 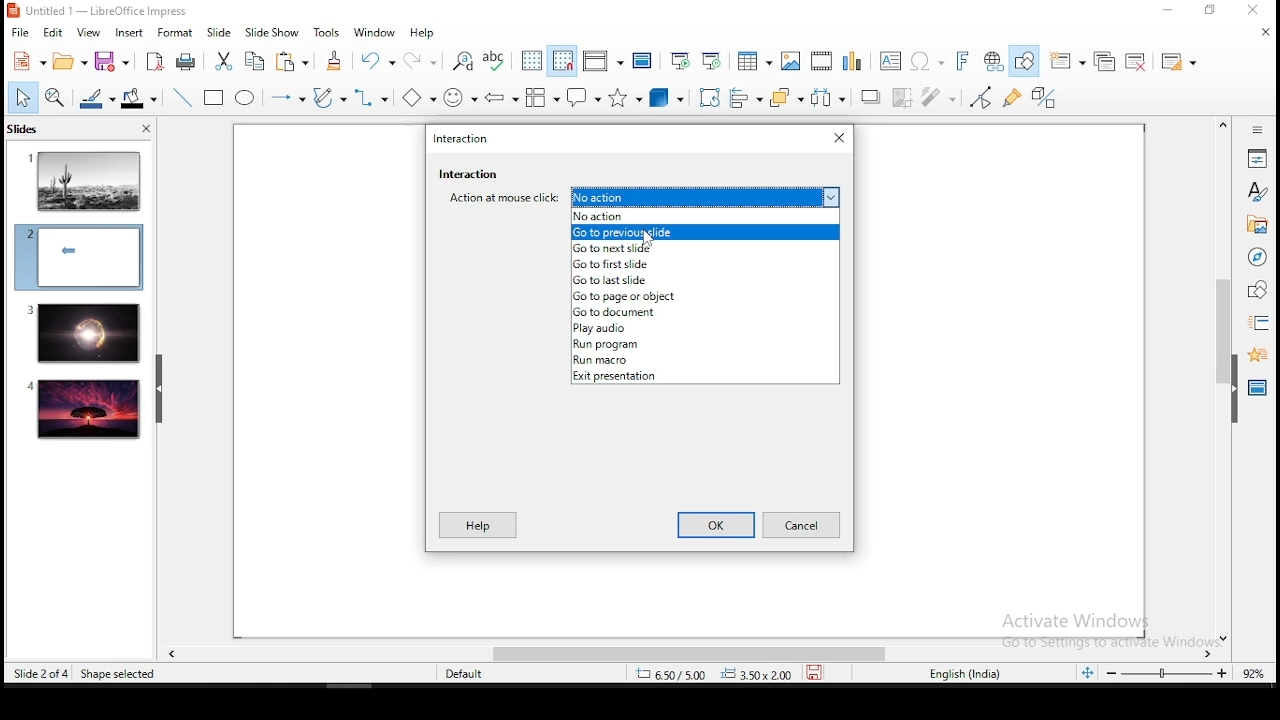 I want to click on shapes, so click(x=1255, y=290).